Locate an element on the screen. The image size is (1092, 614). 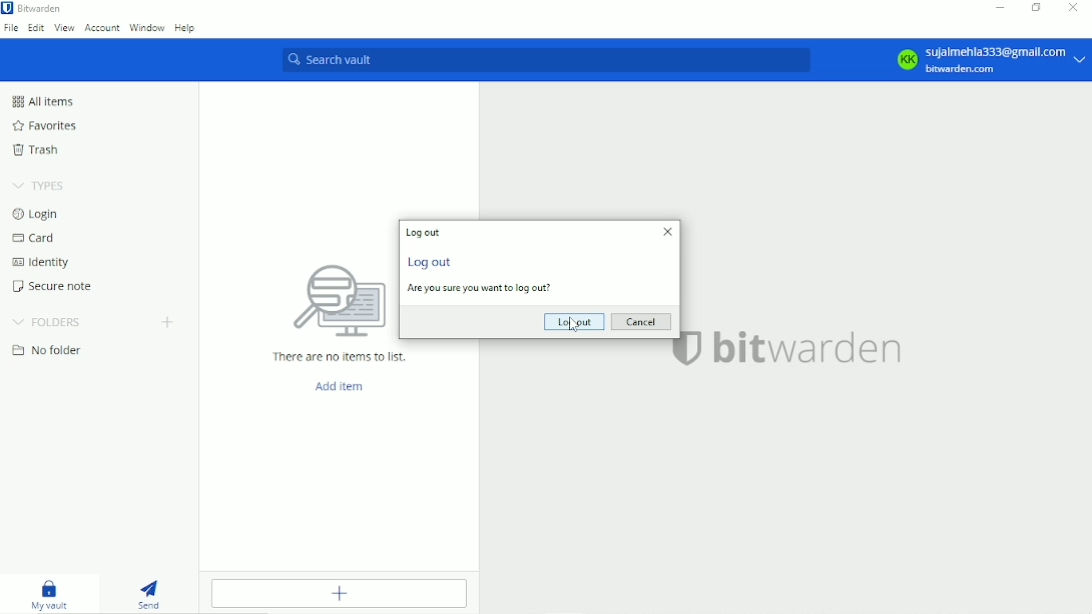
Favorites is located at coordinates (44, 126).